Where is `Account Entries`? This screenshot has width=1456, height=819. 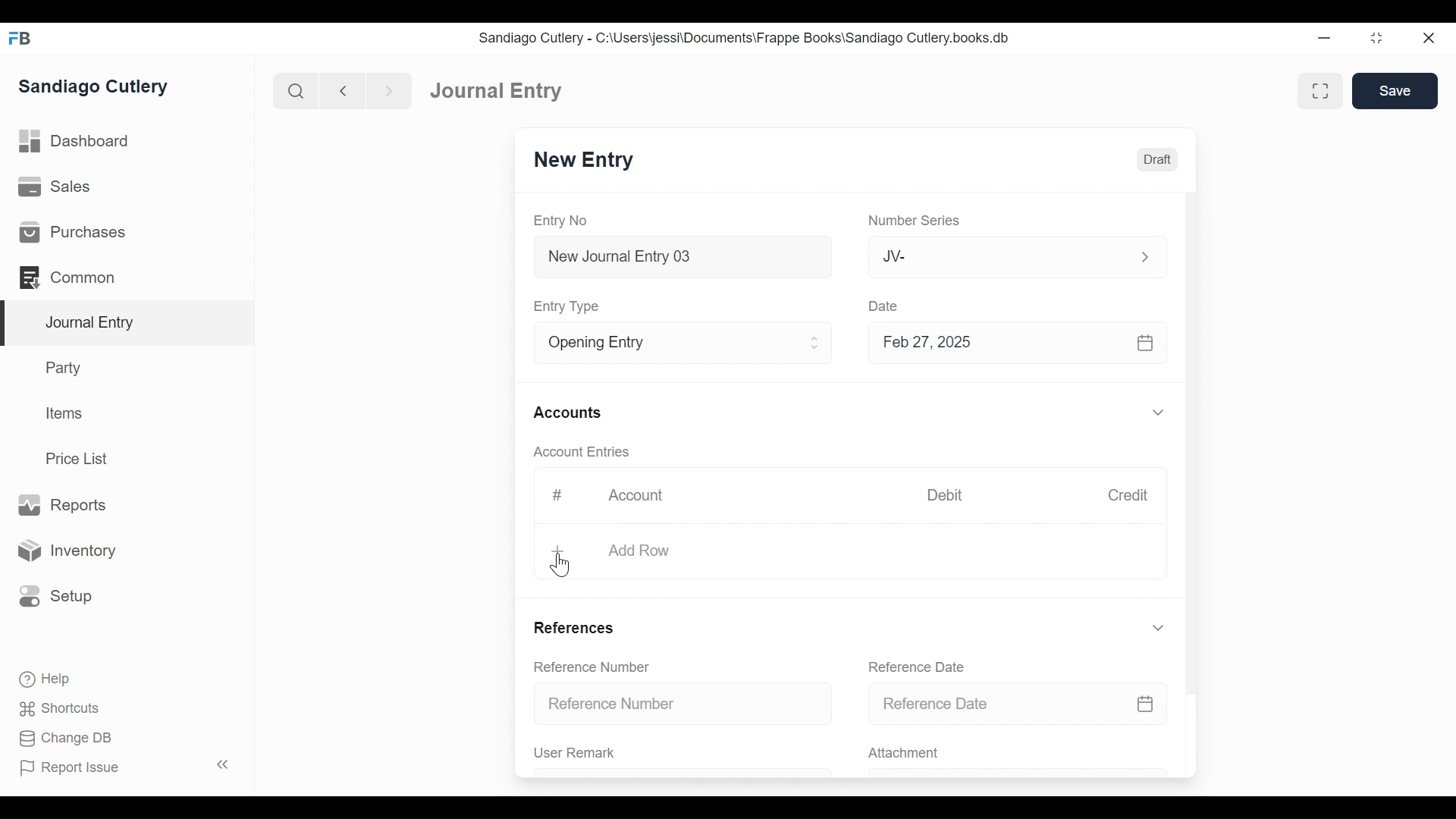
Account Entries is located at coordinates (580, 452).